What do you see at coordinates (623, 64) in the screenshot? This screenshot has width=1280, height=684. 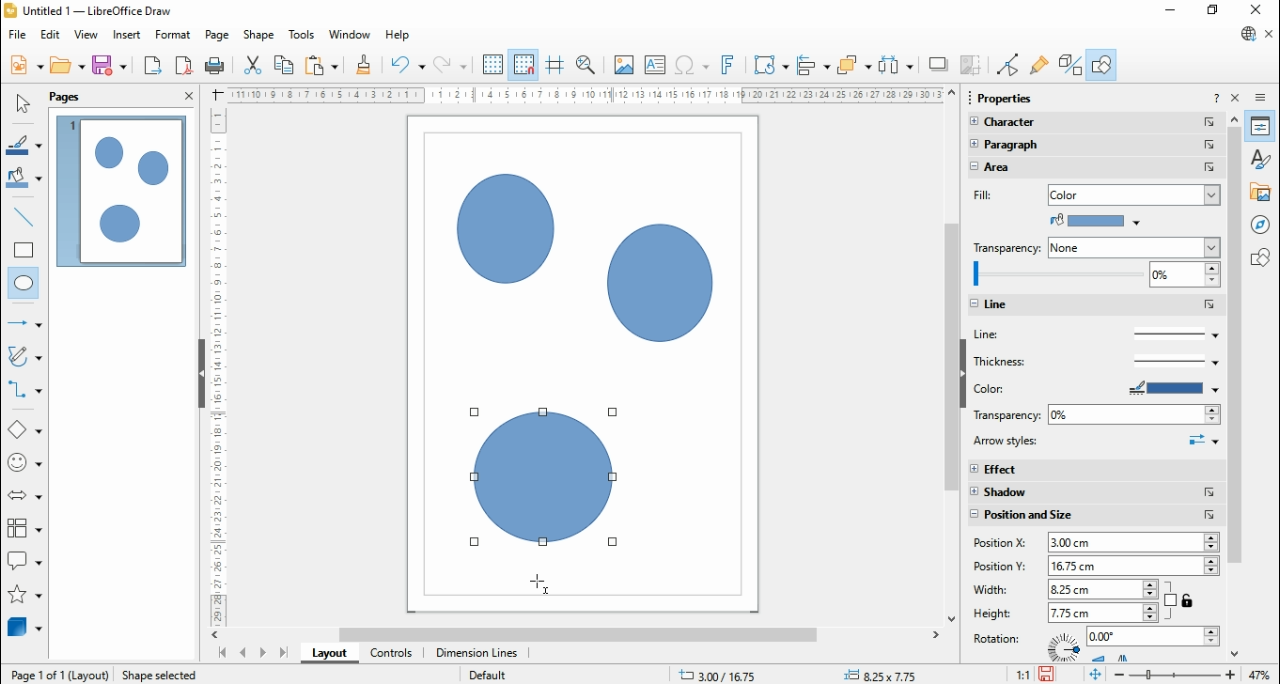 I see `insert image` at bounding box center [623, 64].